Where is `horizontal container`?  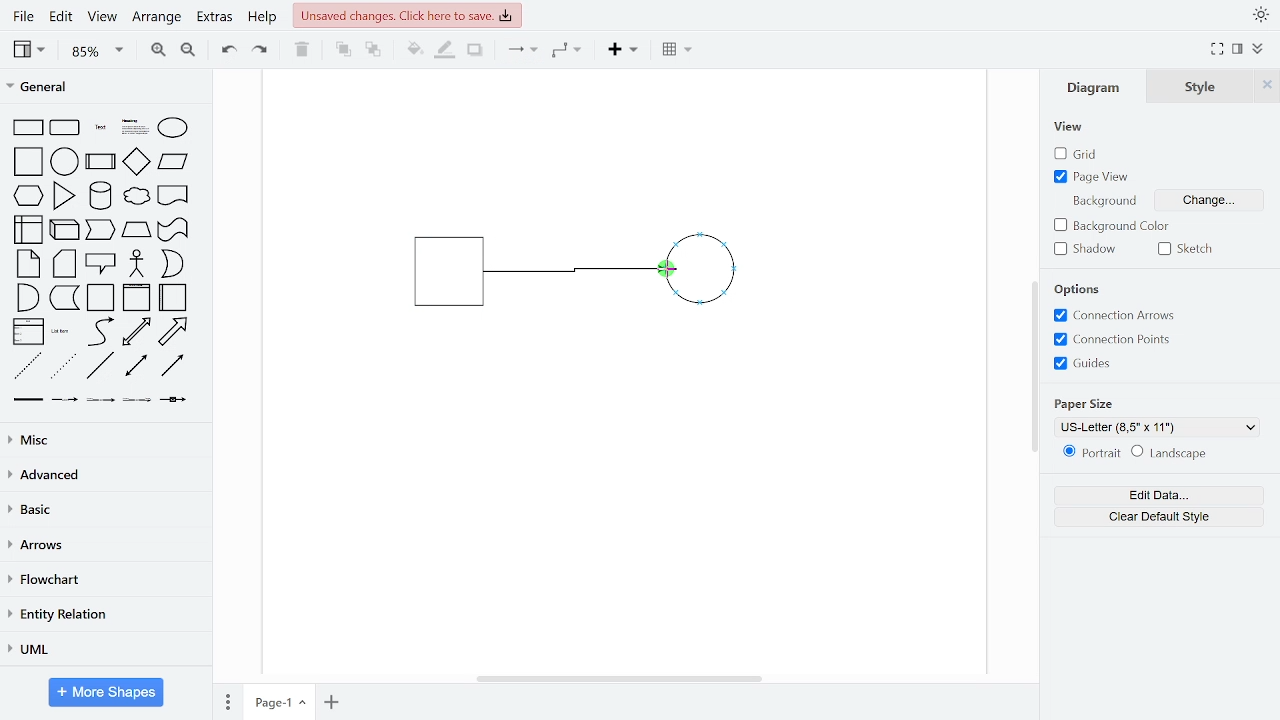
horizontal container is located at coordinates (174, 297).